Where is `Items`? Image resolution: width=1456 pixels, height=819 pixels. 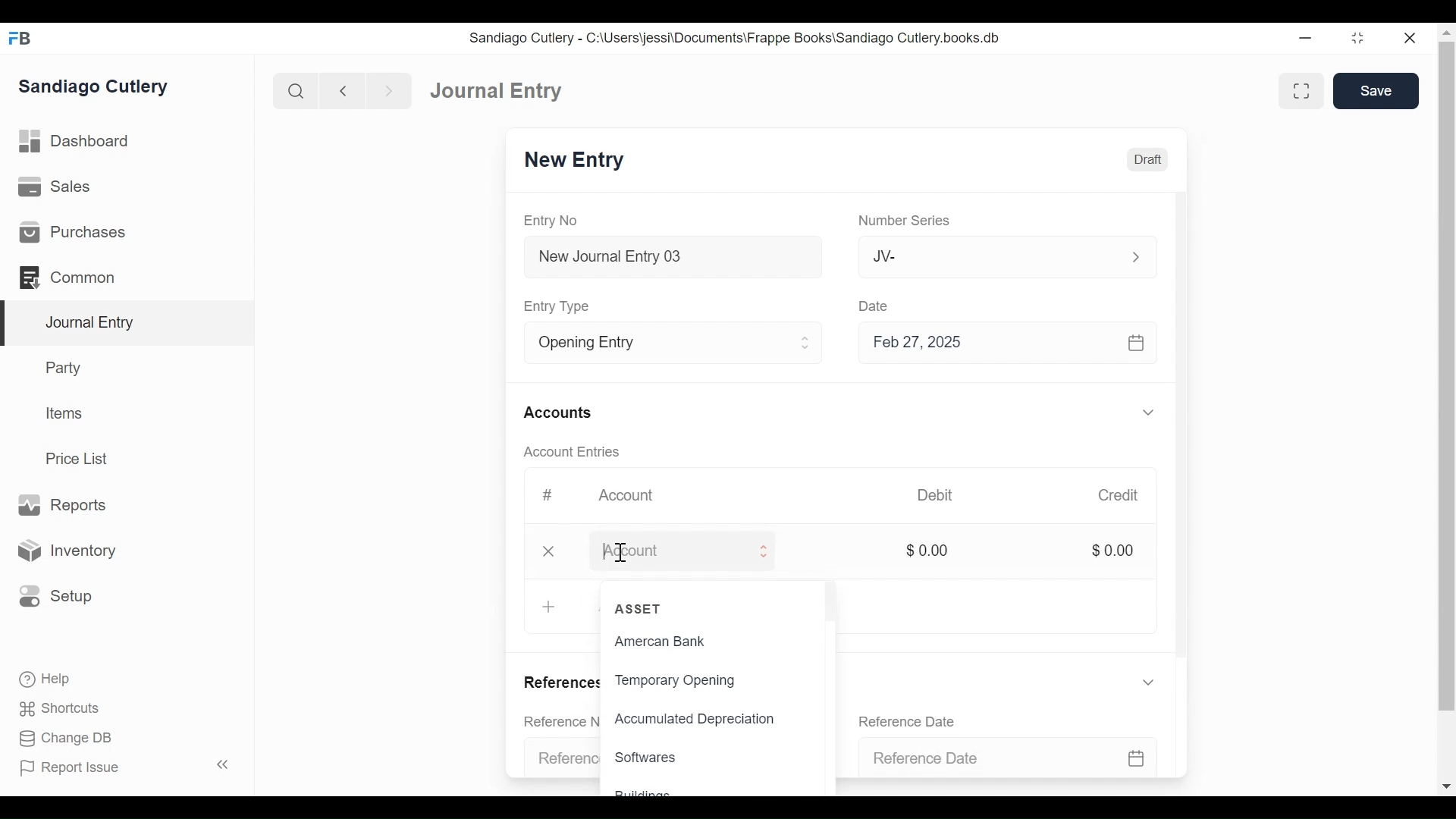 Items is located at coordinates (62, 413).